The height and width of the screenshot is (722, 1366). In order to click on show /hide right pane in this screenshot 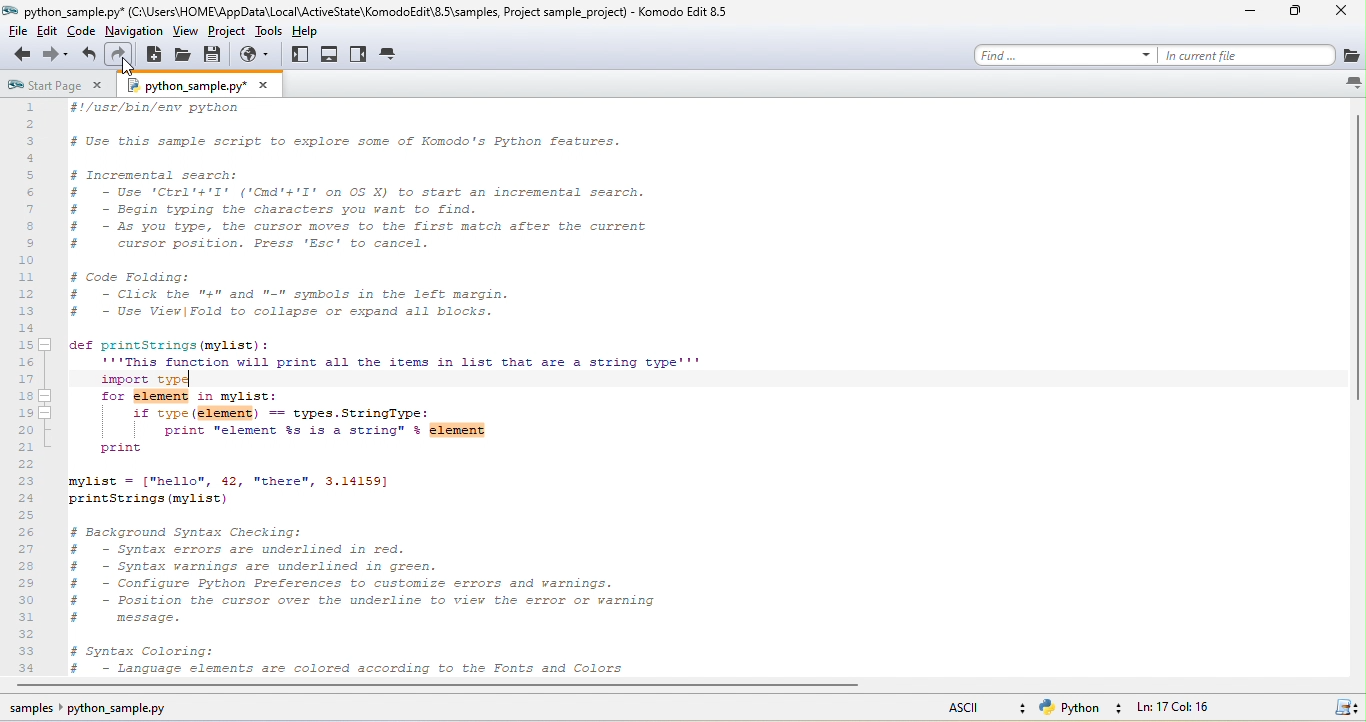, I will do `click(359, 58)`.